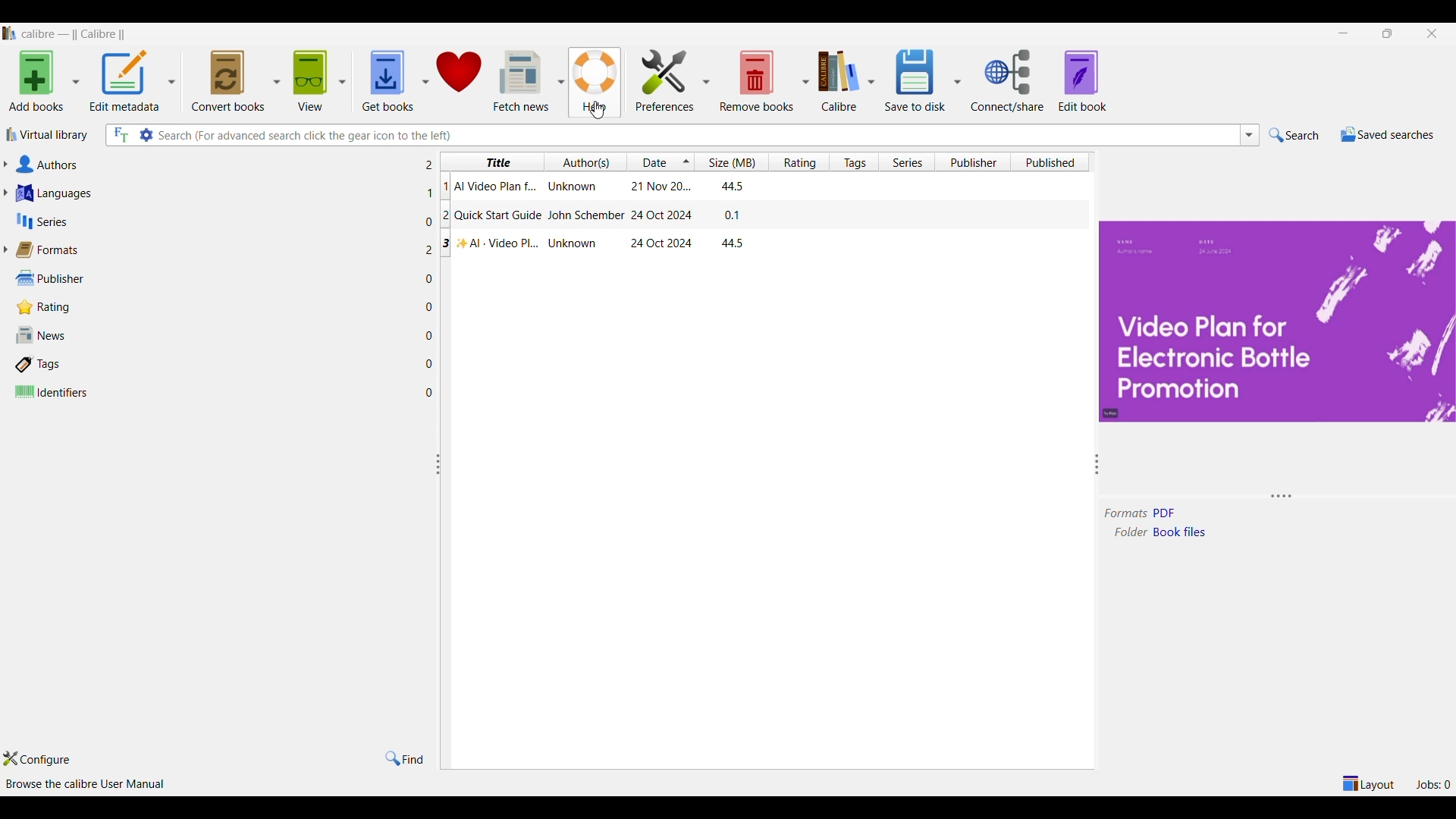  What do you see at coordinates (171, 82) in the screenshot?
I see `Edit metadata options` at bounding box center [171, 82].